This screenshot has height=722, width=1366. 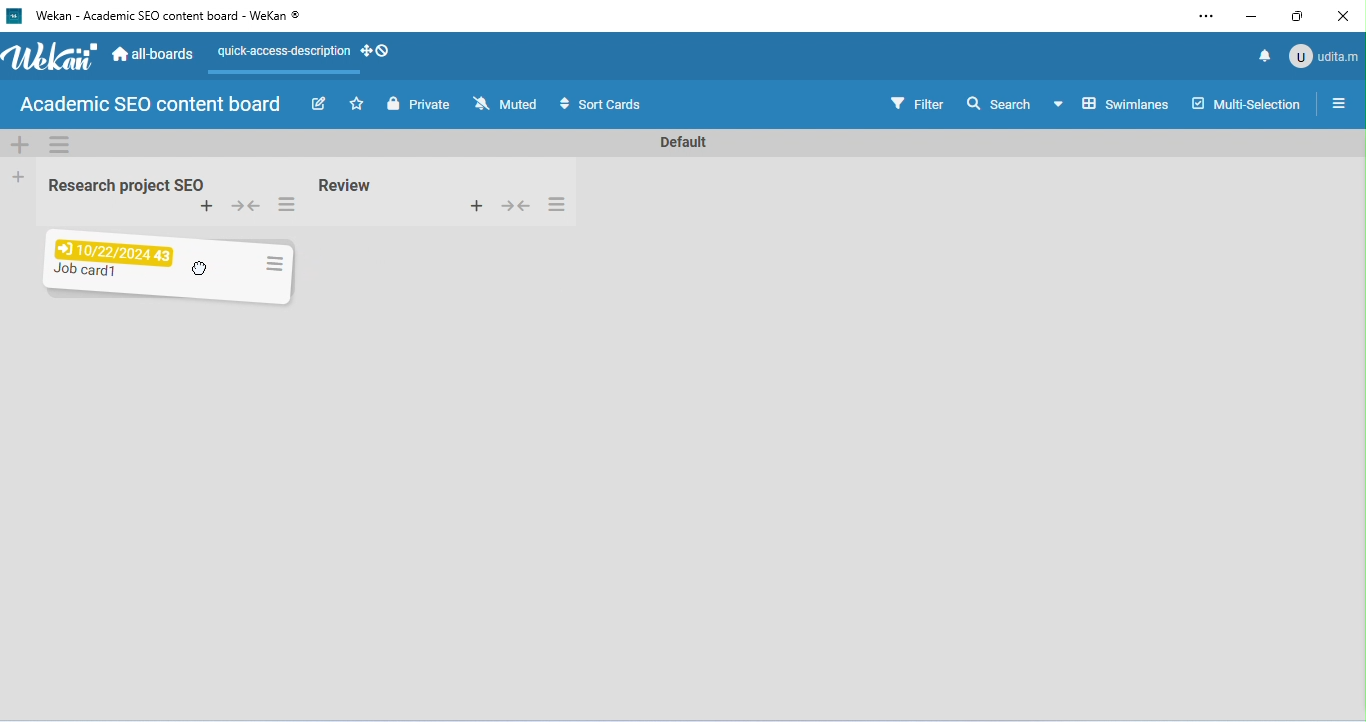 What do you see at coordinates (680, 143) in the screenshot?
I see `default` at bounding box center [680, 143].